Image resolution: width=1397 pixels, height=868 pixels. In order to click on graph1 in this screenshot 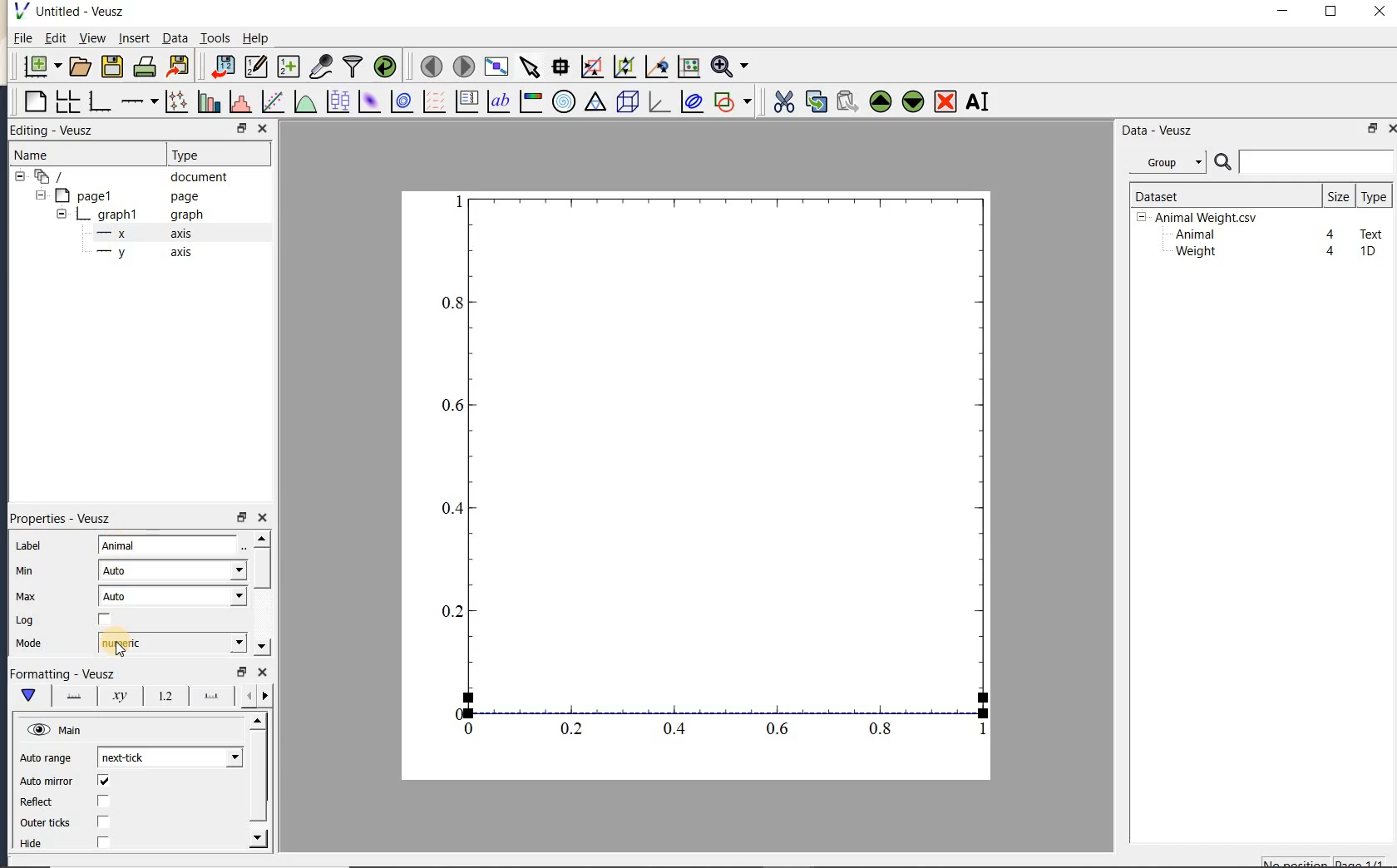, I will do `click(122, 216)`.